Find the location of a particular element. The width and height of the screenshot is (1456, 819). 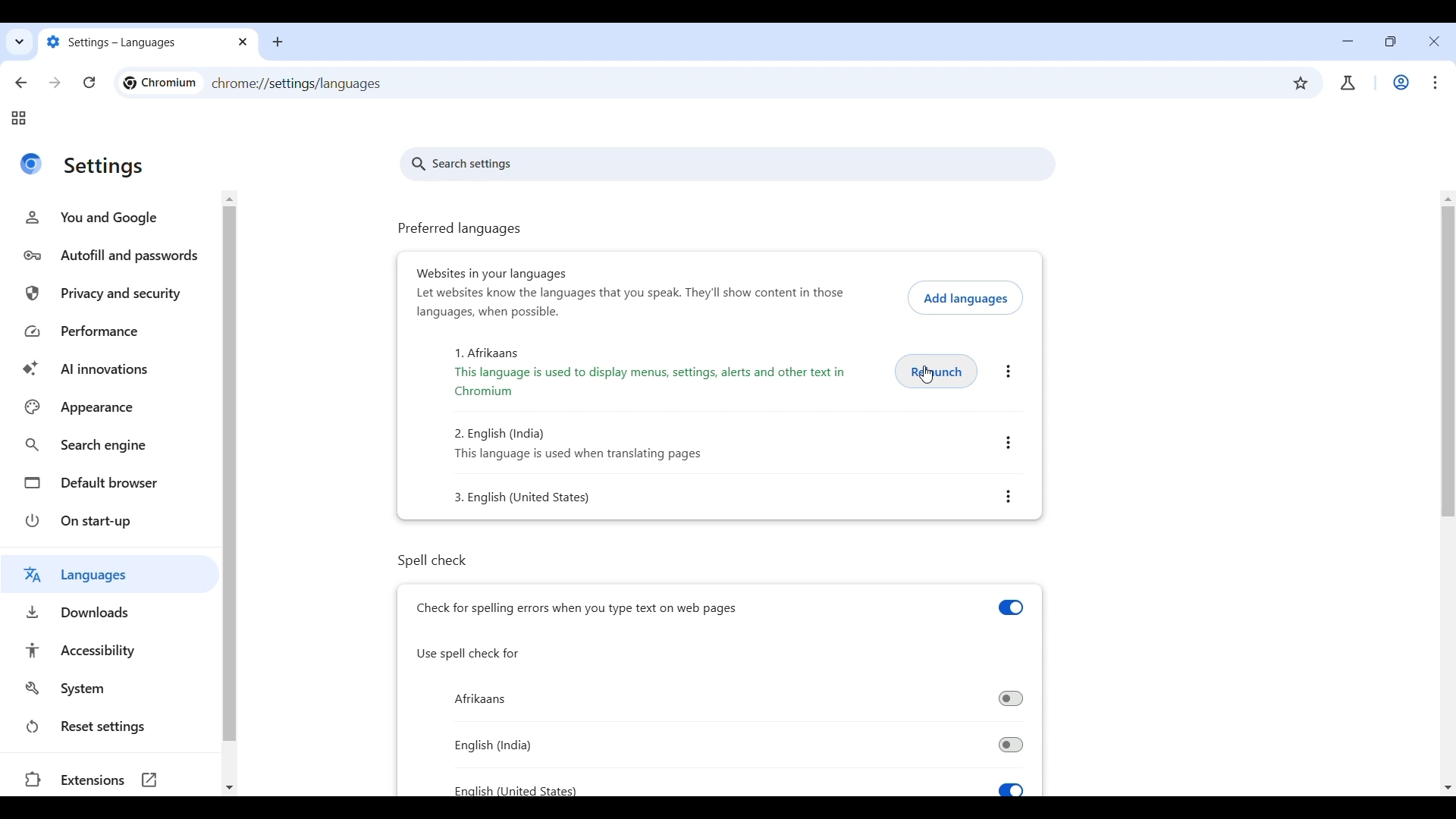

On start up is located at coordinates (113, 520).